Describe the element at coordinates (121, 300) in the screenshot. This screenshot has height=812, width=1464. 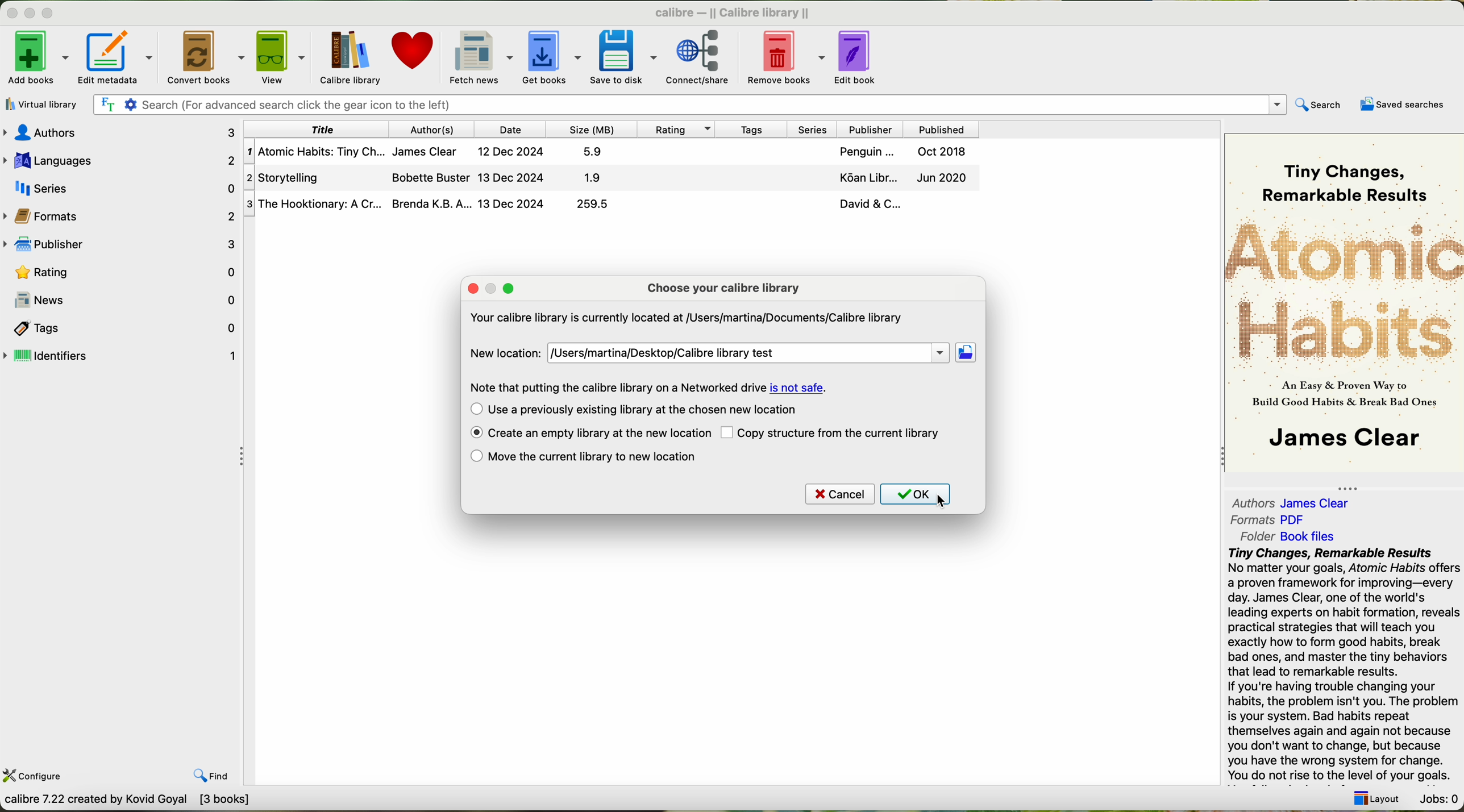
I see `news` at that location.